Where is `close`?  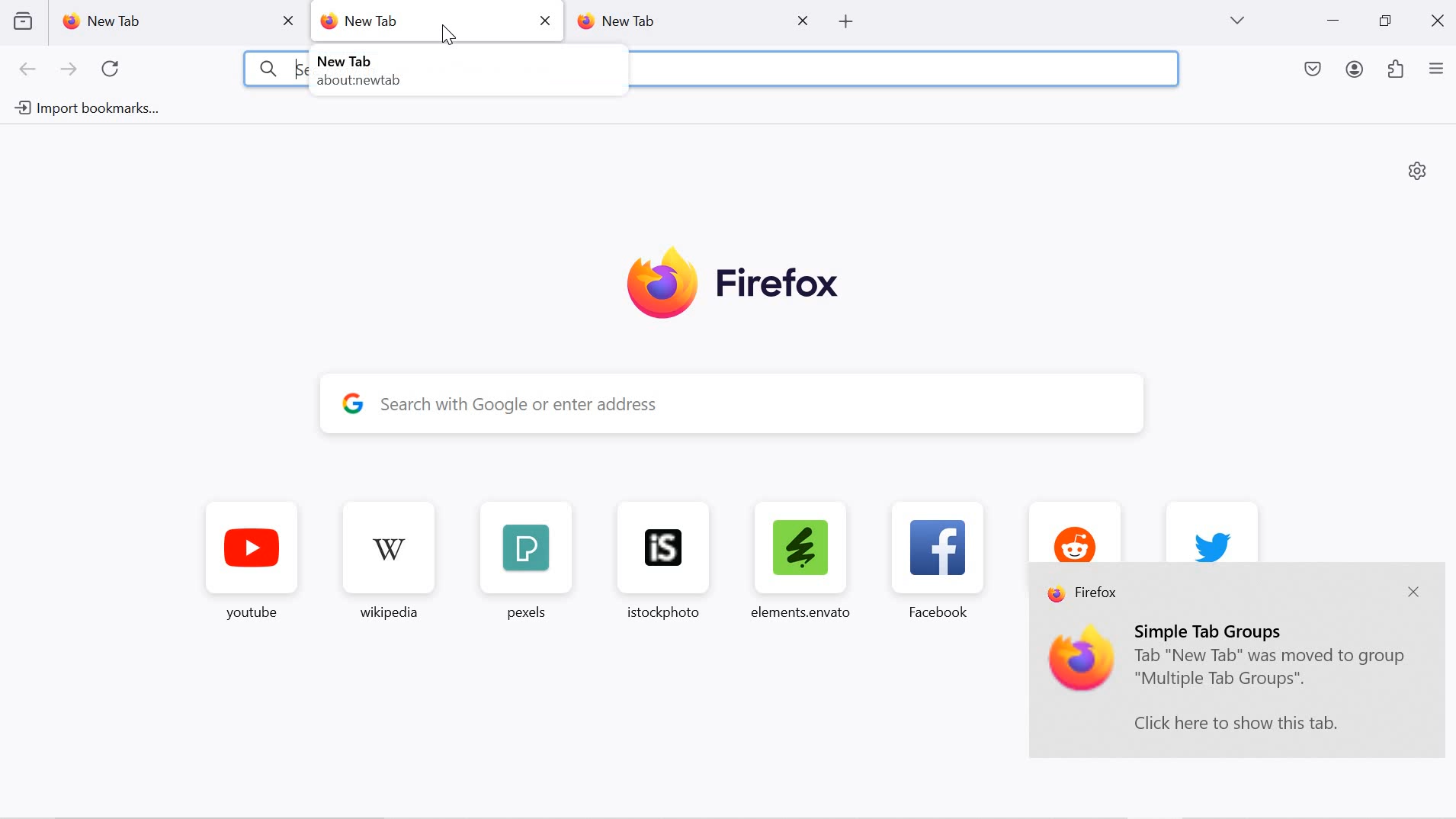 close is located at coordinates (1413, 593).